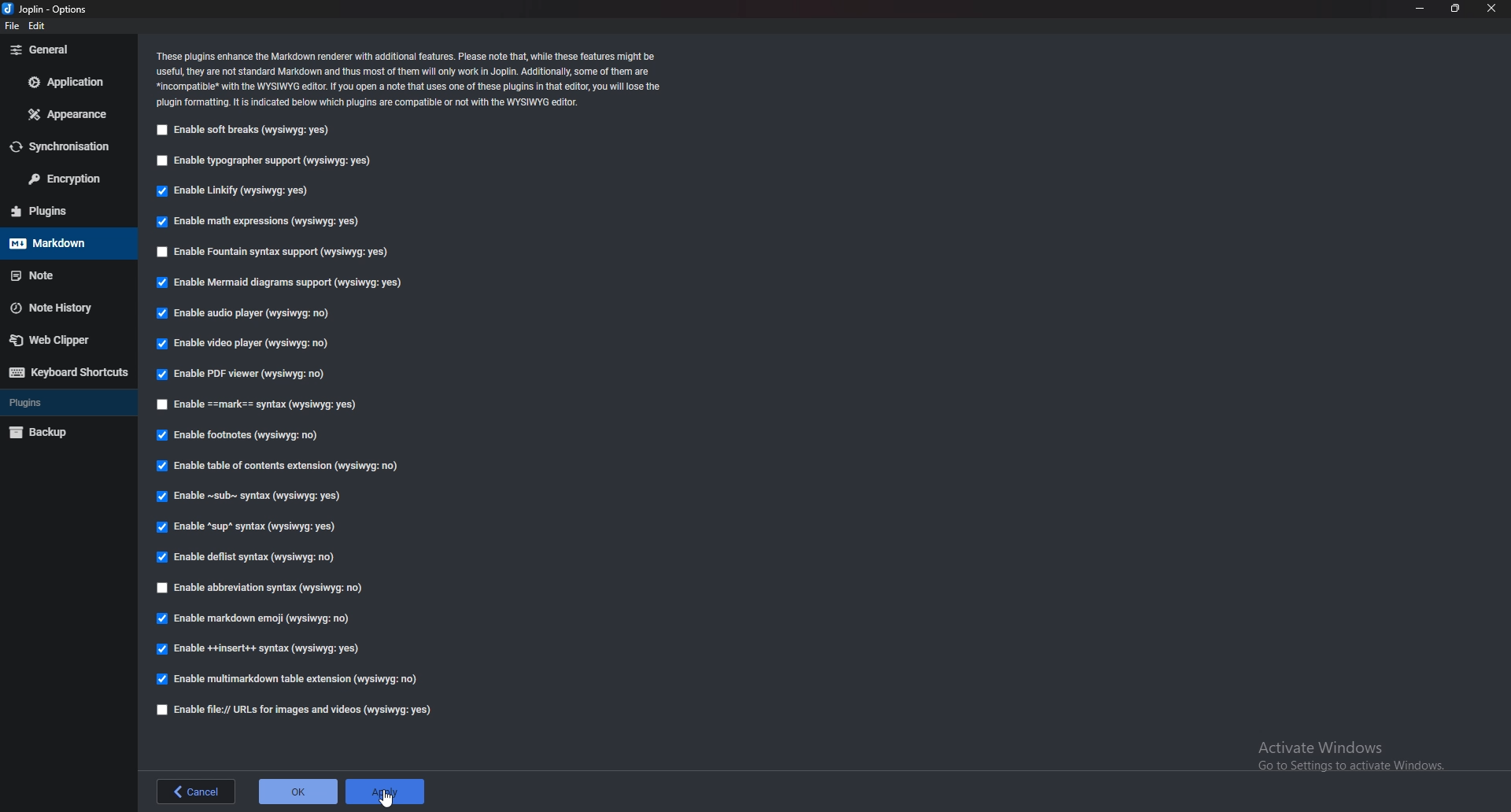 This screenshot has height=812, width=1511. What do you see at coordinates (268, 223) in the screenshot?
I see `Enable math expressions` at bounding box center [268, 223].